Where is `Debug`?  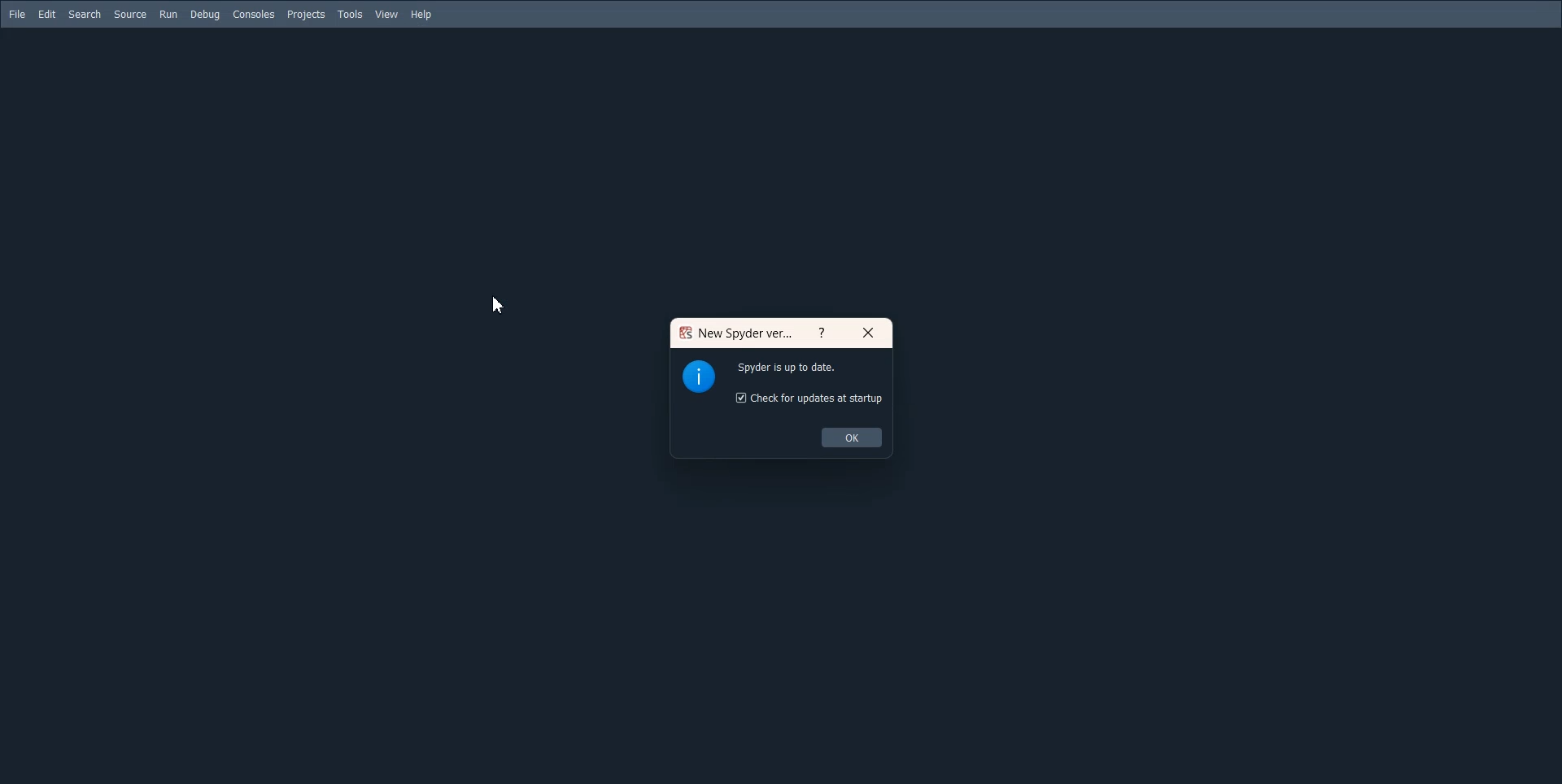 Debug is located at coordinates (205, 15).